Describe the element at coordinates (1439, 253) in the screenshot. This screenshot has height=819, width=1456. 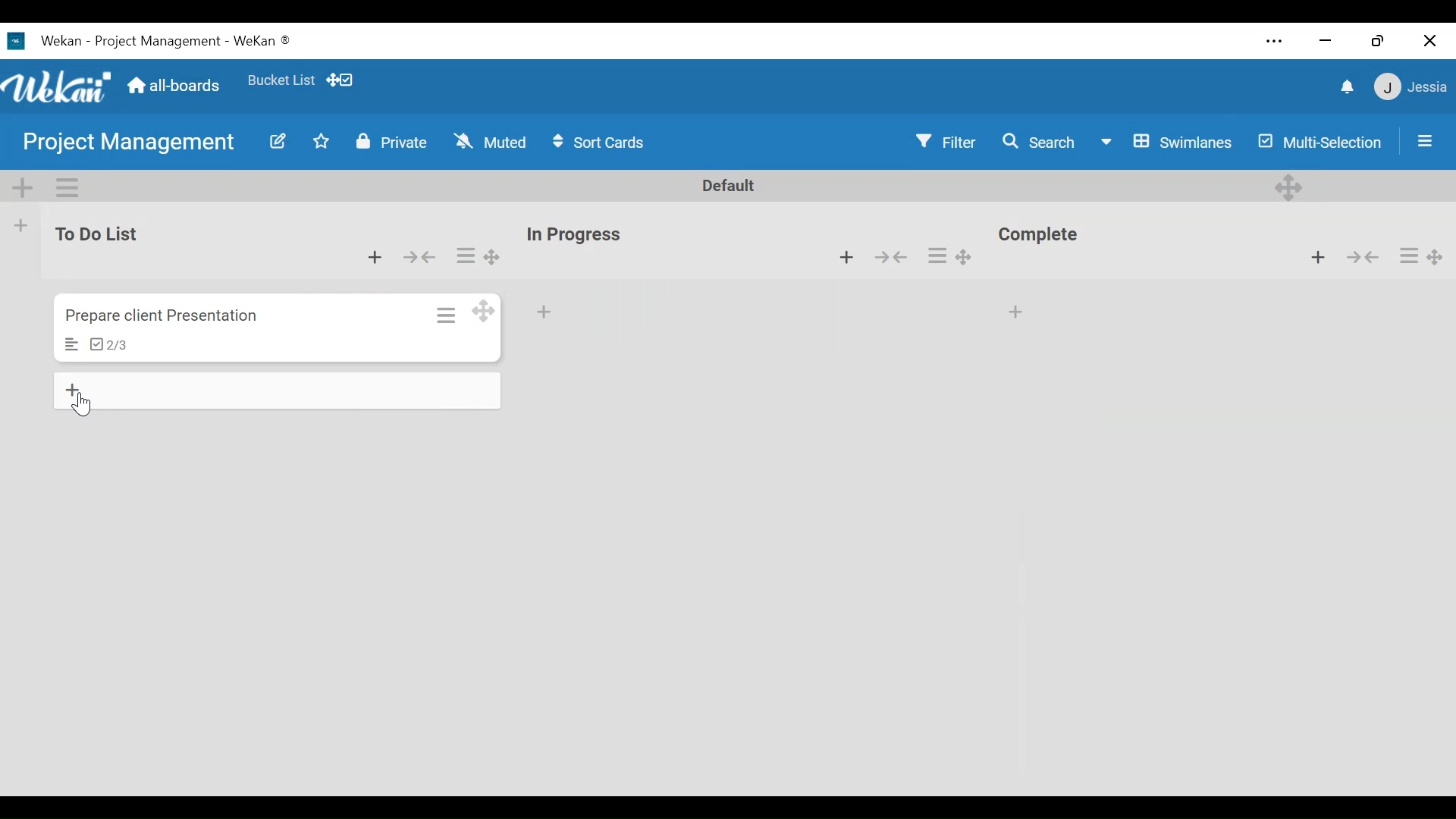
I see `Desktop drag handles` at that location.